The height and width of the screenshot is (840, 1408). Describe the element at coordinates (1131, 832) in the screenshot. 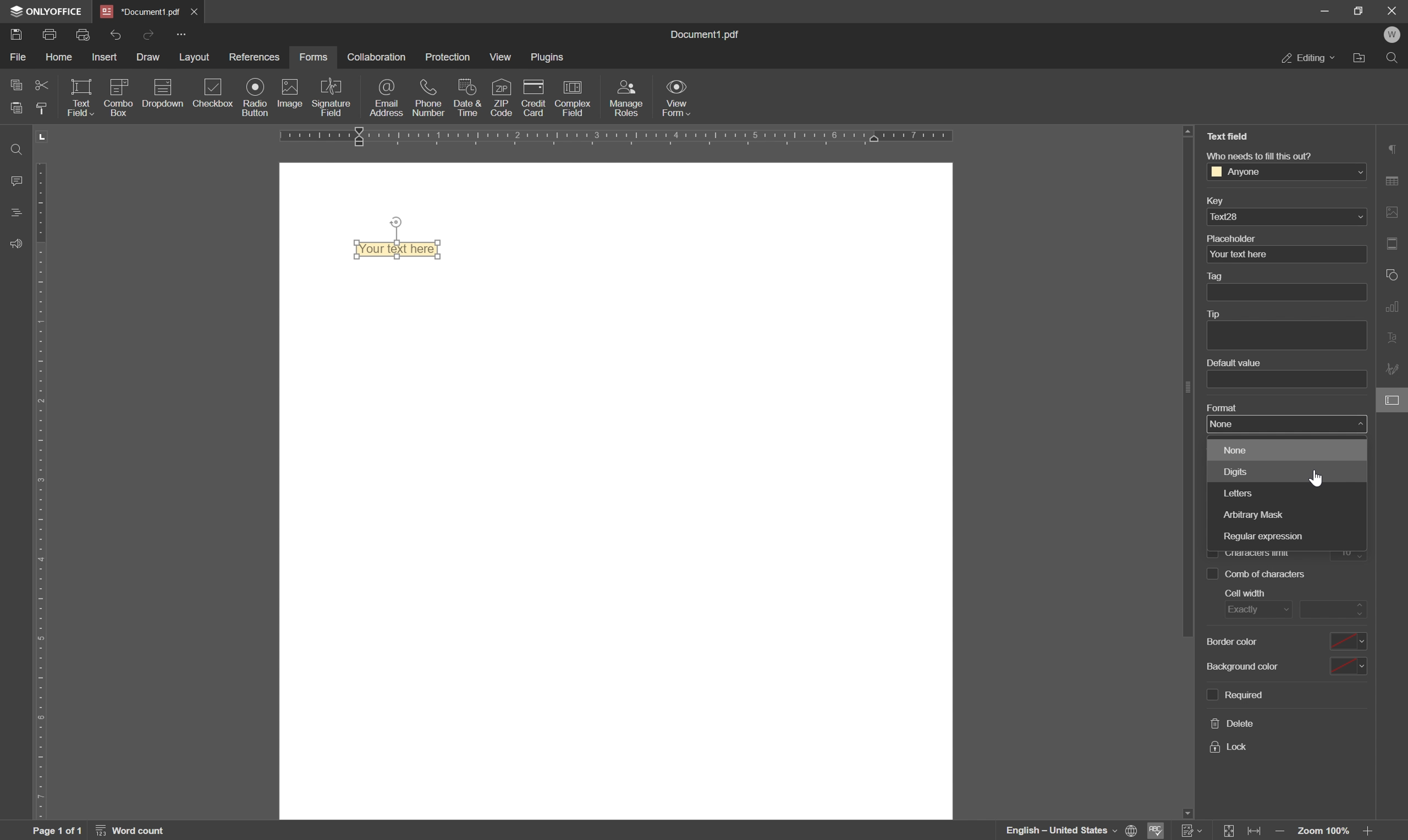

I see `set document language` at that location.